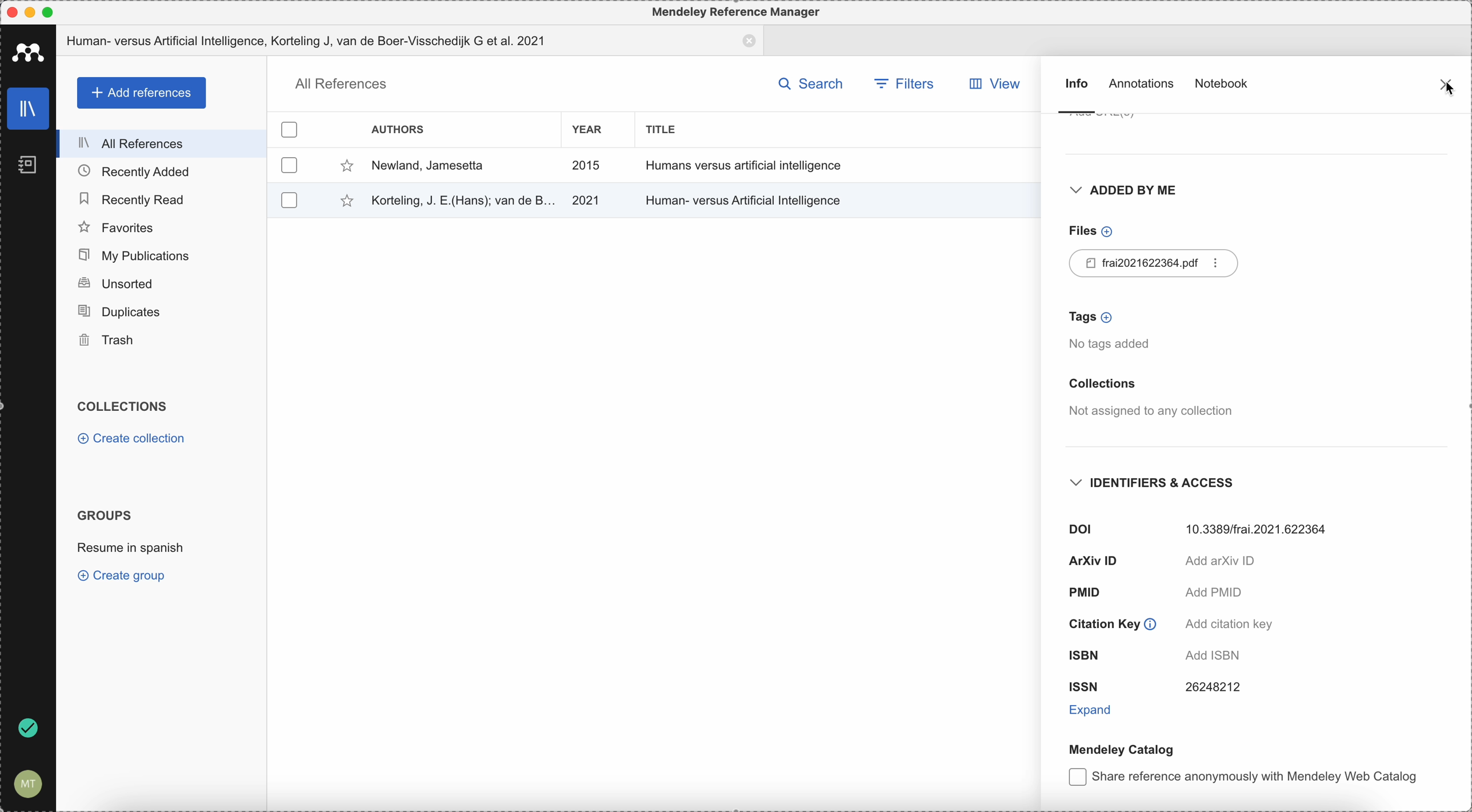  Describe the element at coordinates (162, 226) in the screenshot. I see `favorites` at that location.